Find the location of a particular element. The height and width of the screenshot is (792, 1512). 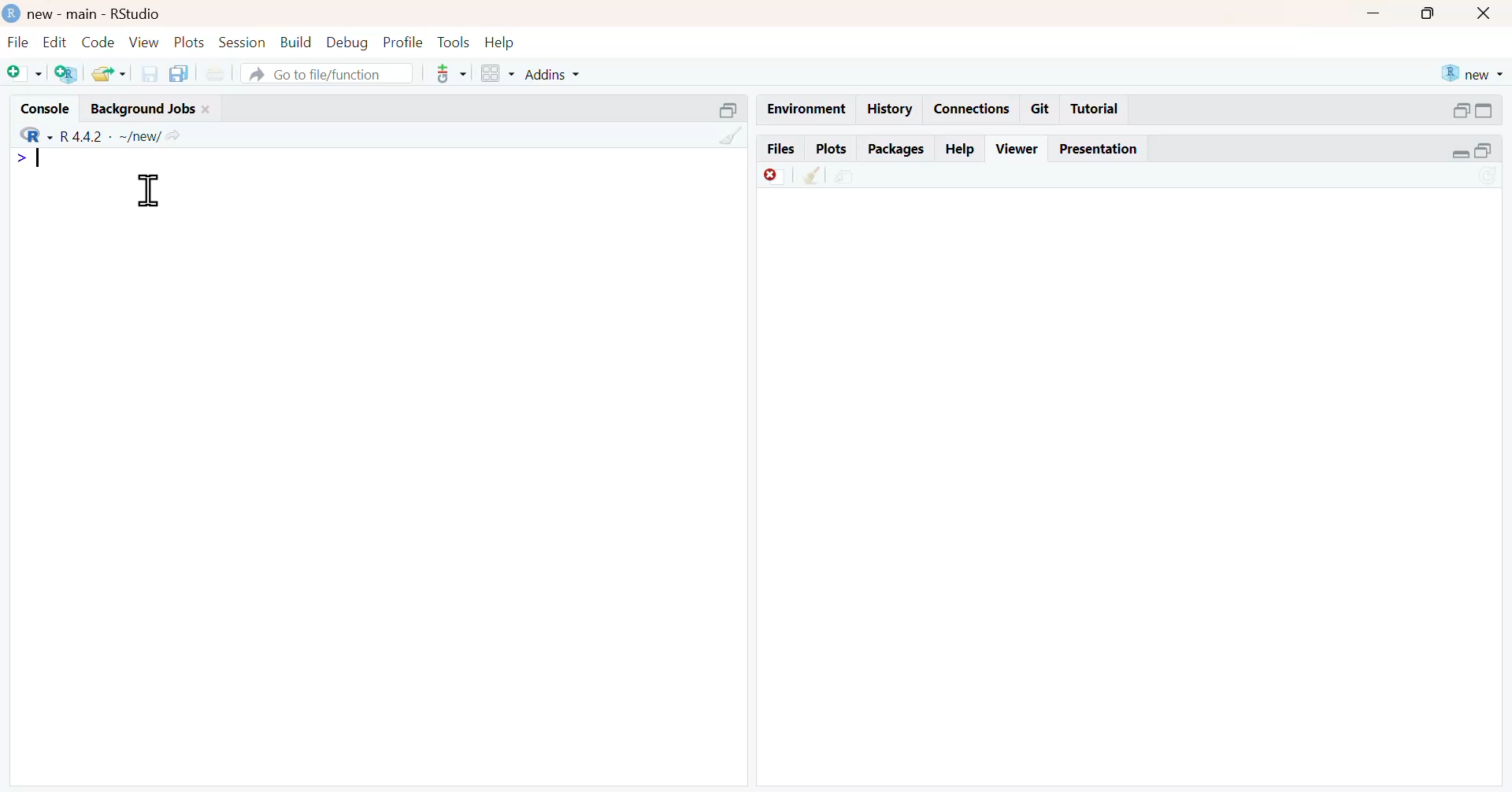

background jobs is located at coordinates (139, 108).